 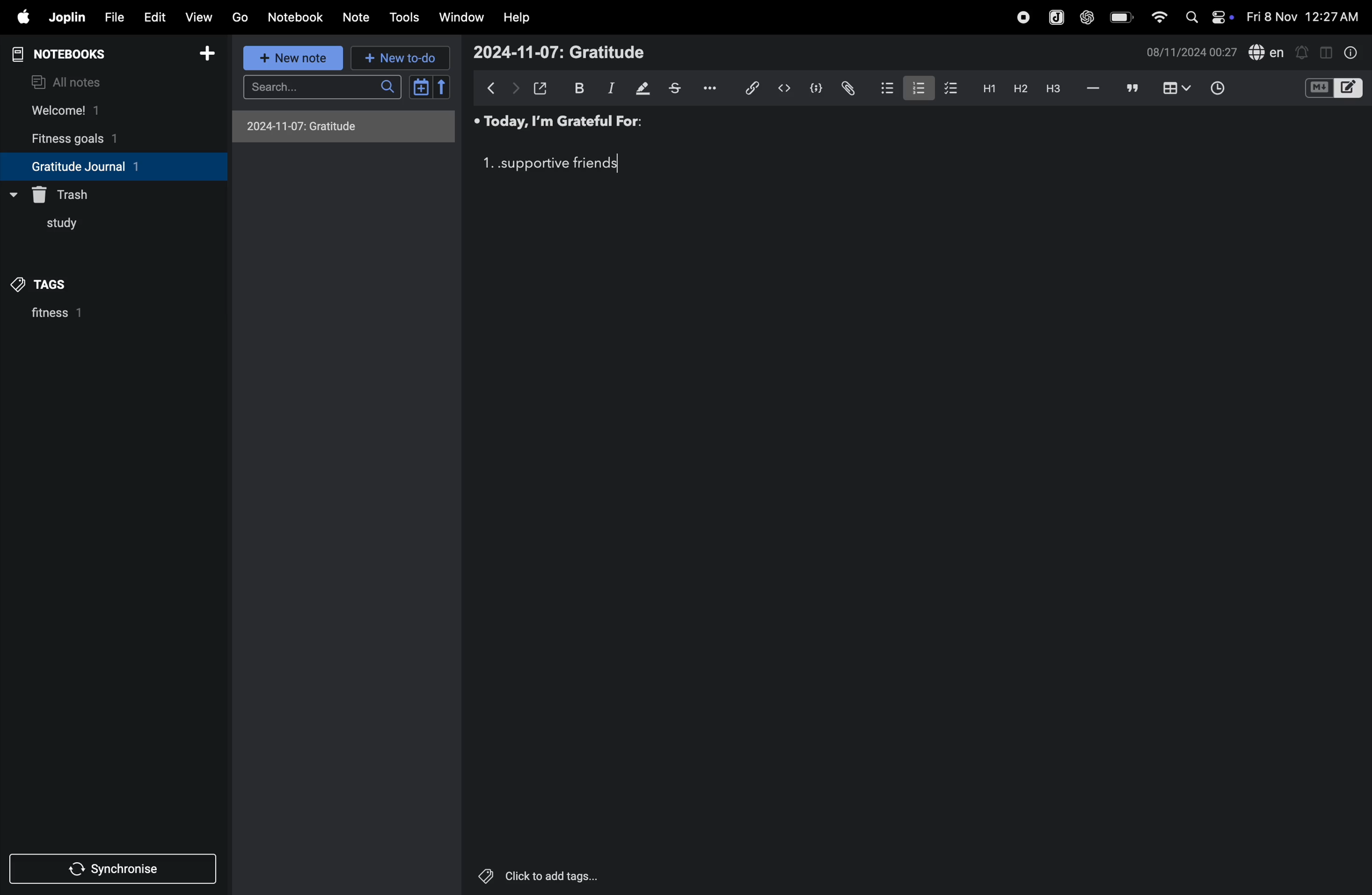 I want to click on all notes, so click(x=70, y=81).